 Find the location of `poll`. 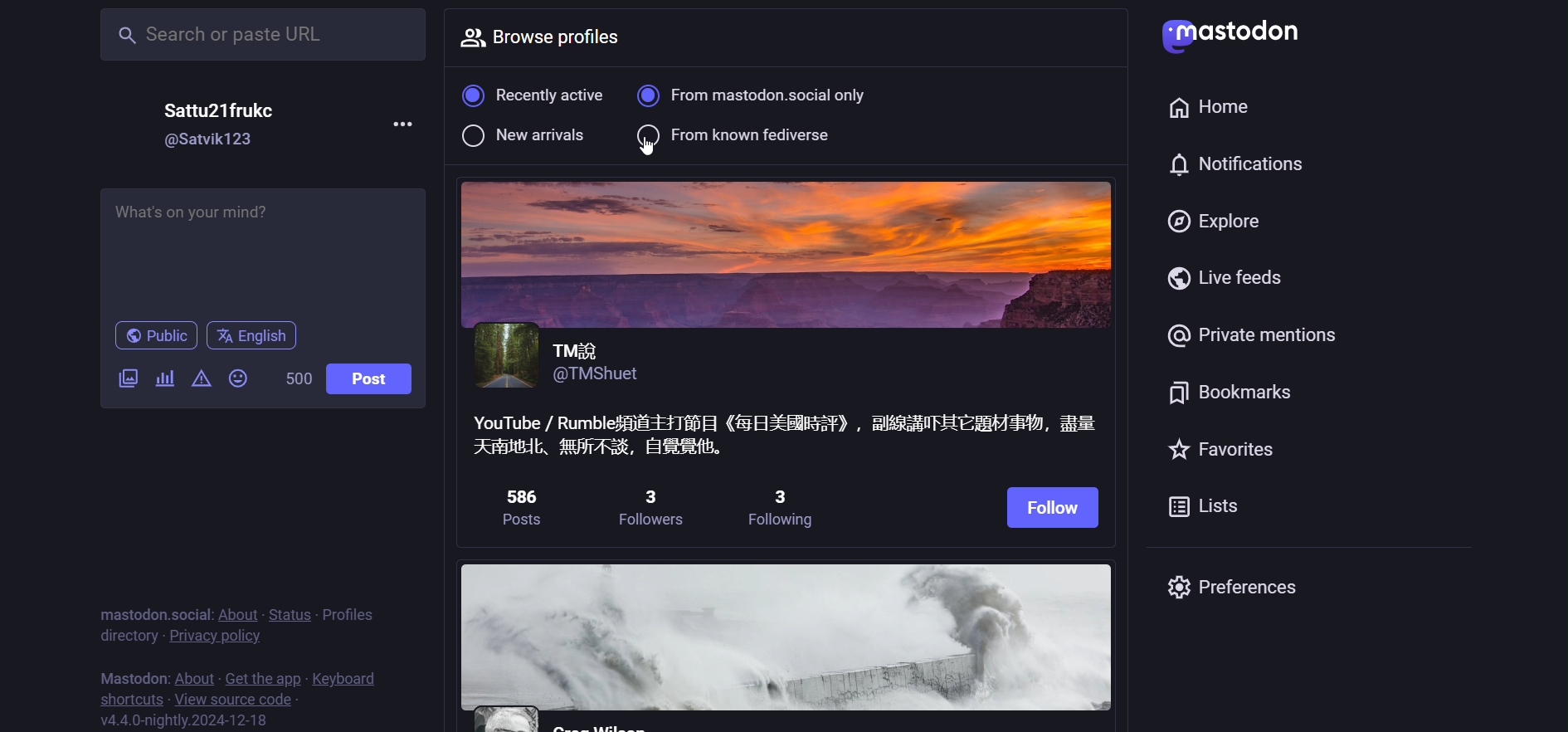

poll is located at coordinates (162, 377).